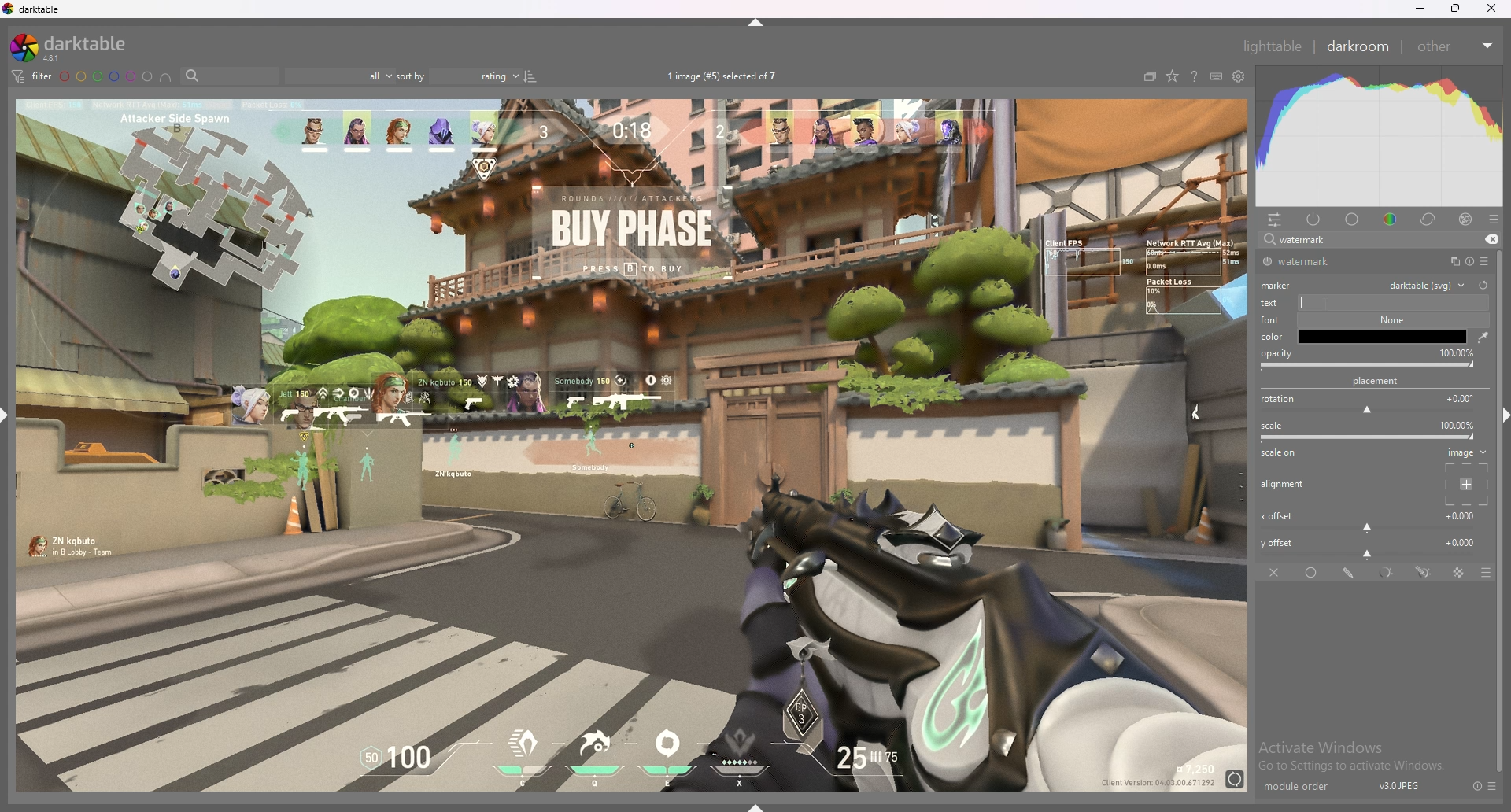 The image size is (1511, 812). Describe the element at coordinates (1464, 476) in the screenshot. I see `image` at that location.